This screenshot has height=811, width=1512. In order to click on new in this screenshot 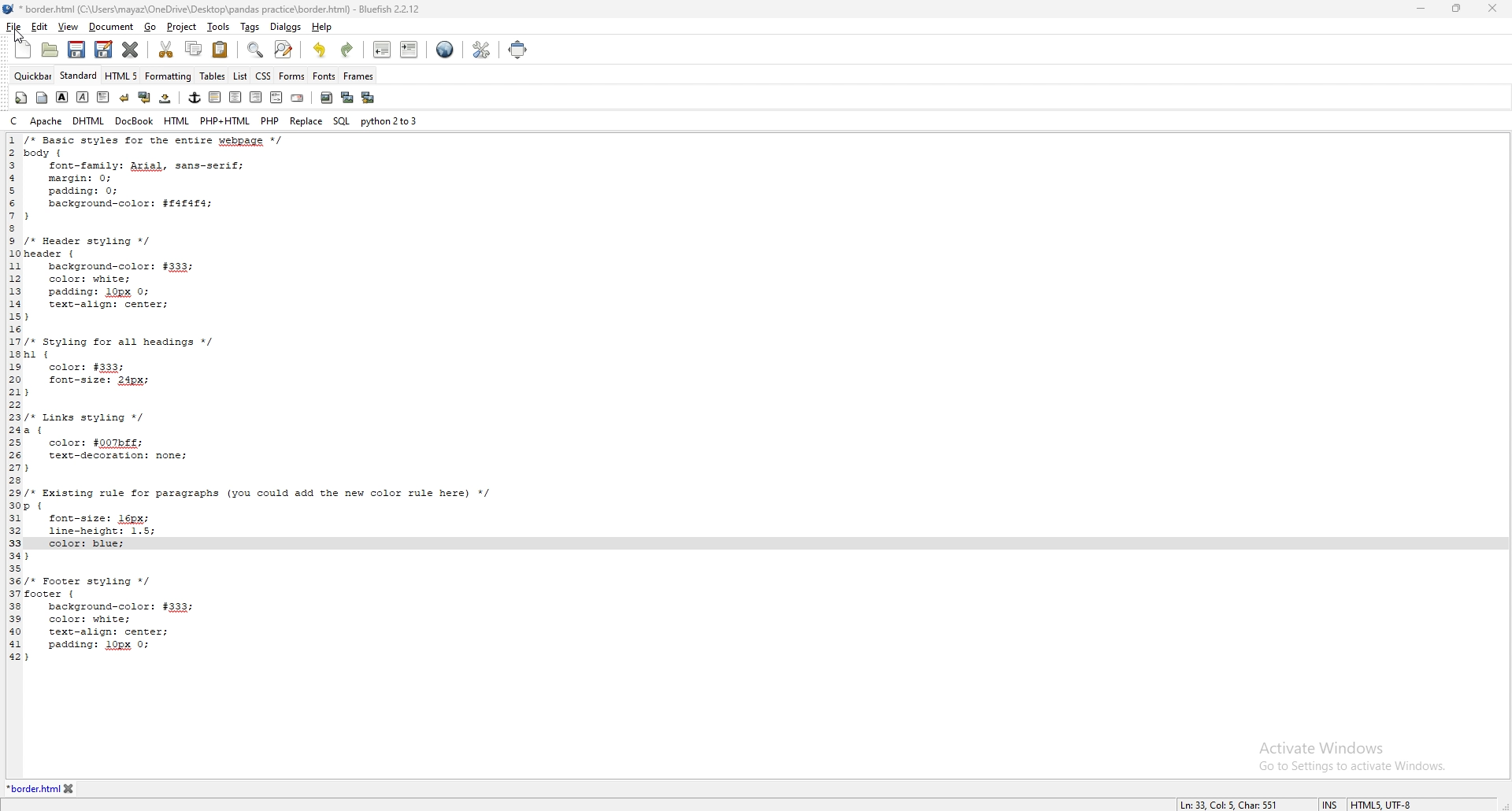, I will do `click(18, 55)`.